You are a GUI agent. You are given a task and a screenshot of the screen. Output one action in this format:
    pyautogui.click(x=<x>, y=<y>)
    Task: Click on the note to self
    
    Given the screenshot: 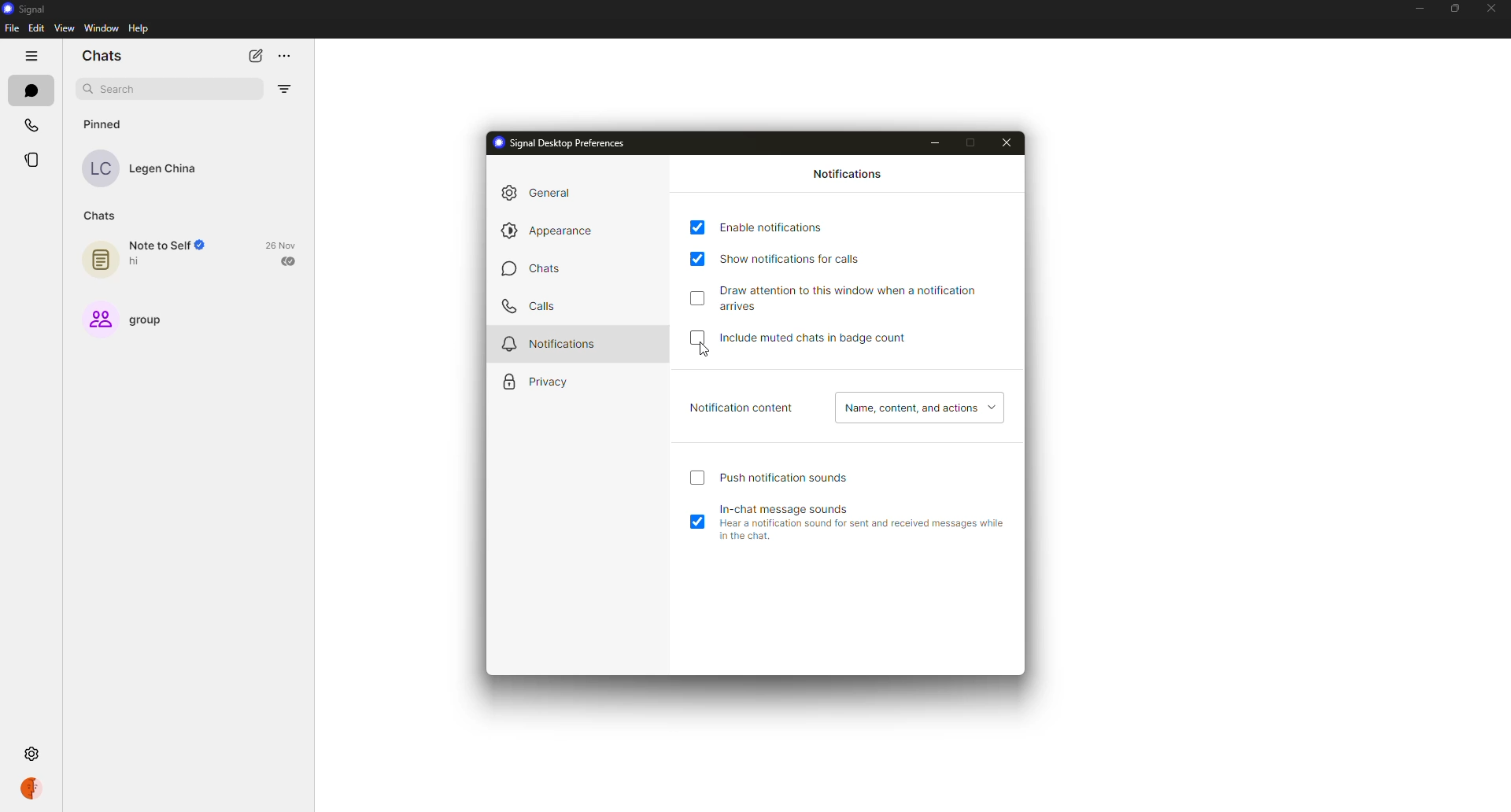 What is the action you would take?
    pyautogui.click(x=172, y=245)
    